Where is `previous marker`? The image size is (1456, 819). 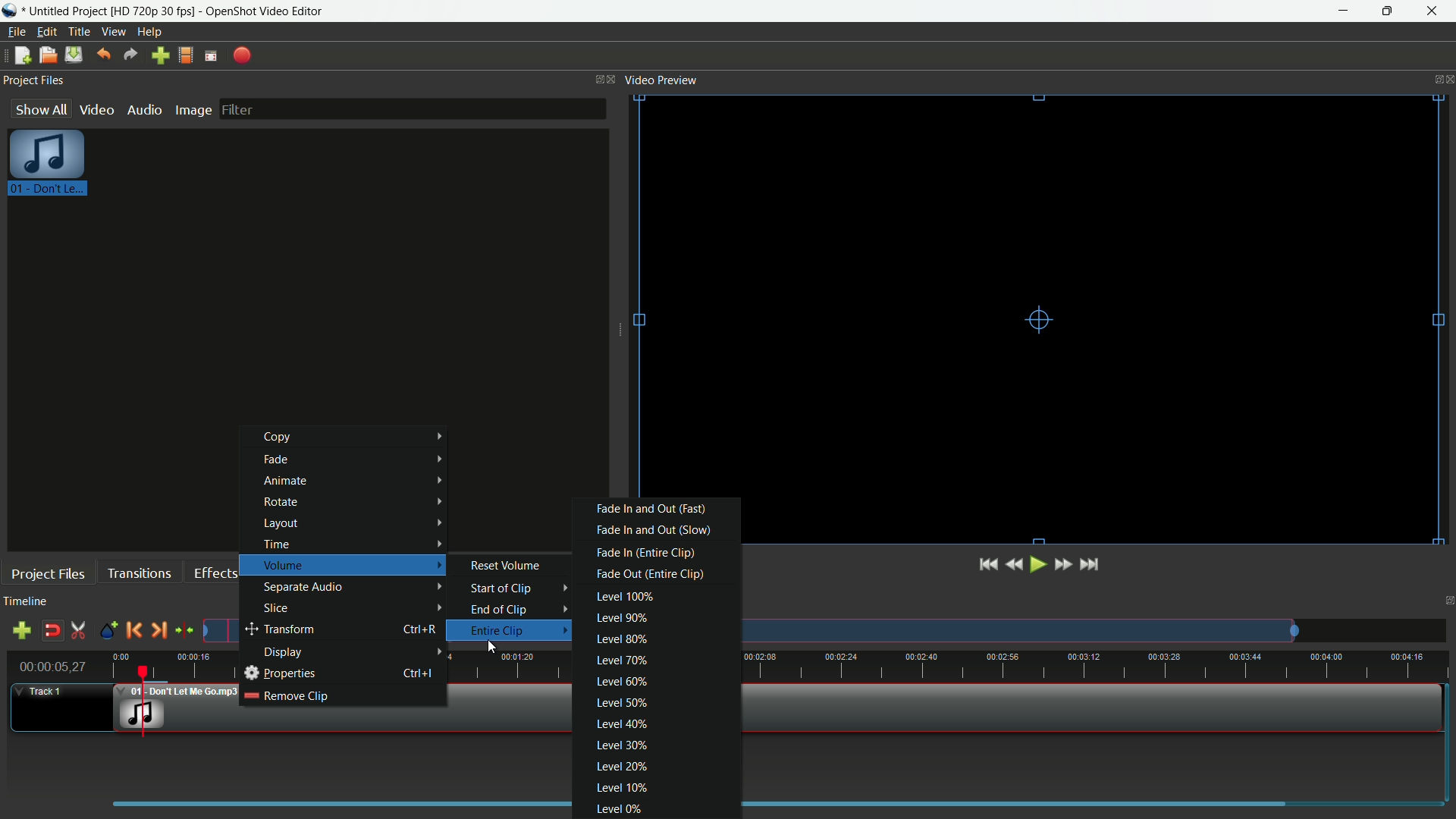 previous marker is located at coordinates (135, 630).